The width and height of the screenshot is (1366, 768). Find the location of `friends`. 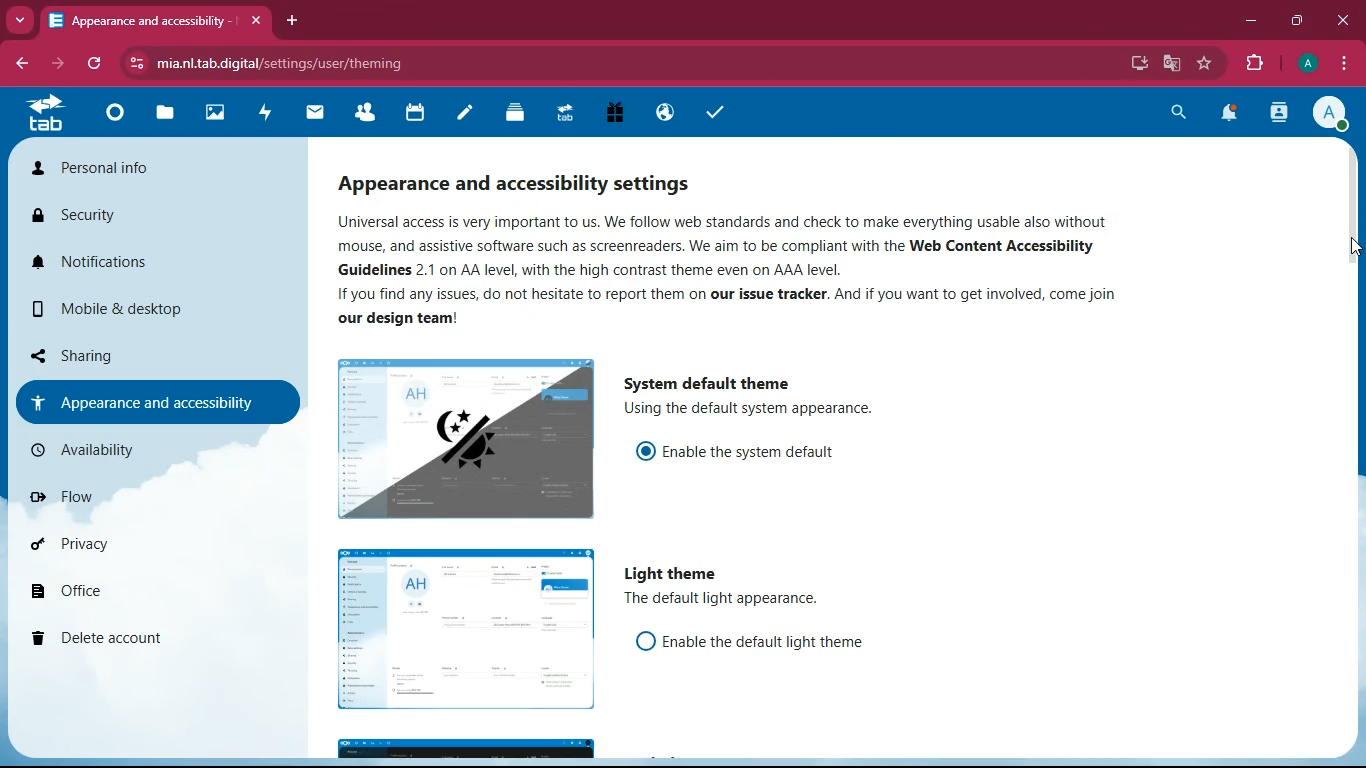

friends is located at coordinates (369, 114).